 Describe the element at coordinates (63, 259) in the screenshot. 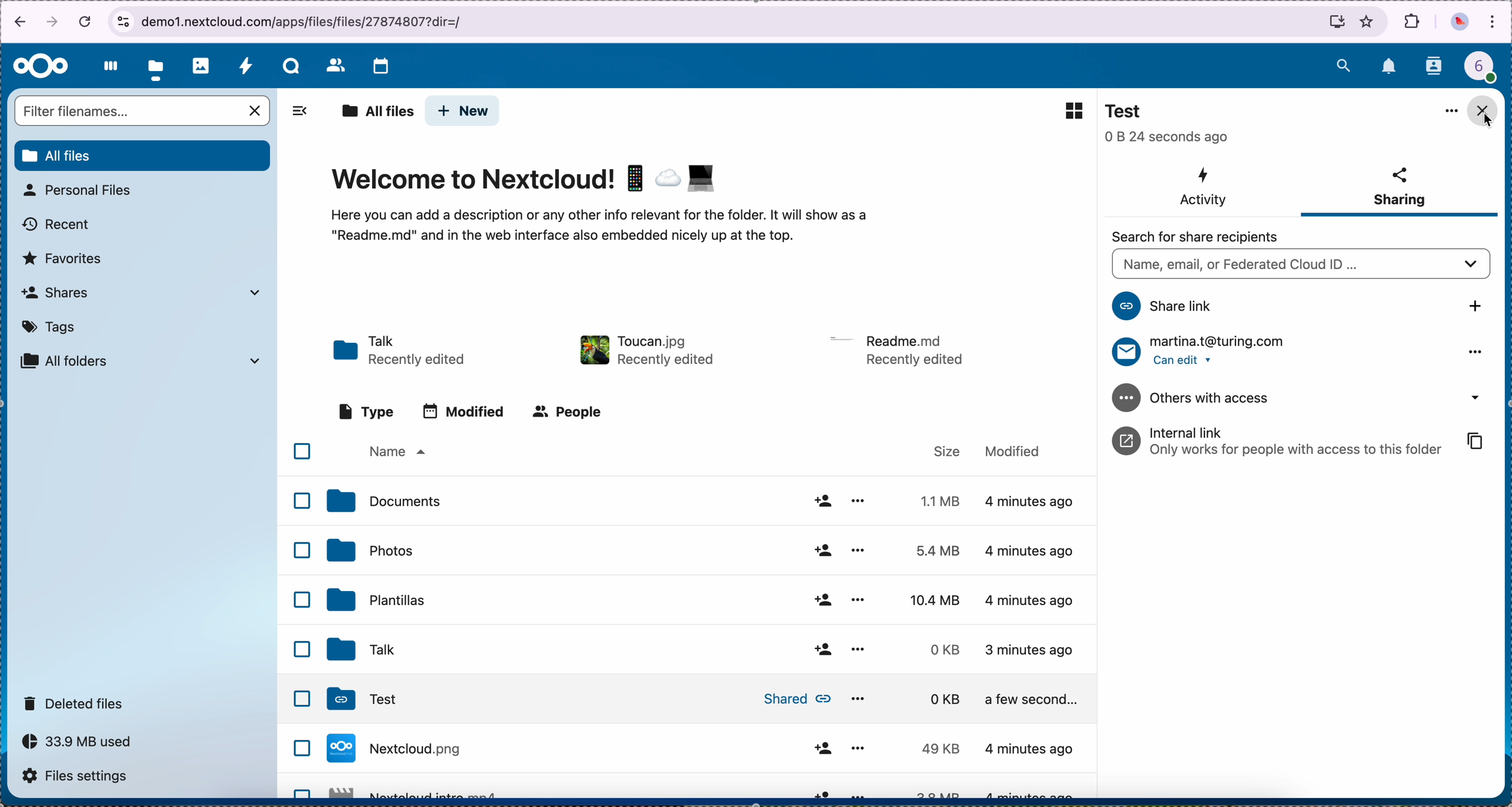

I see `favorites` at that location.